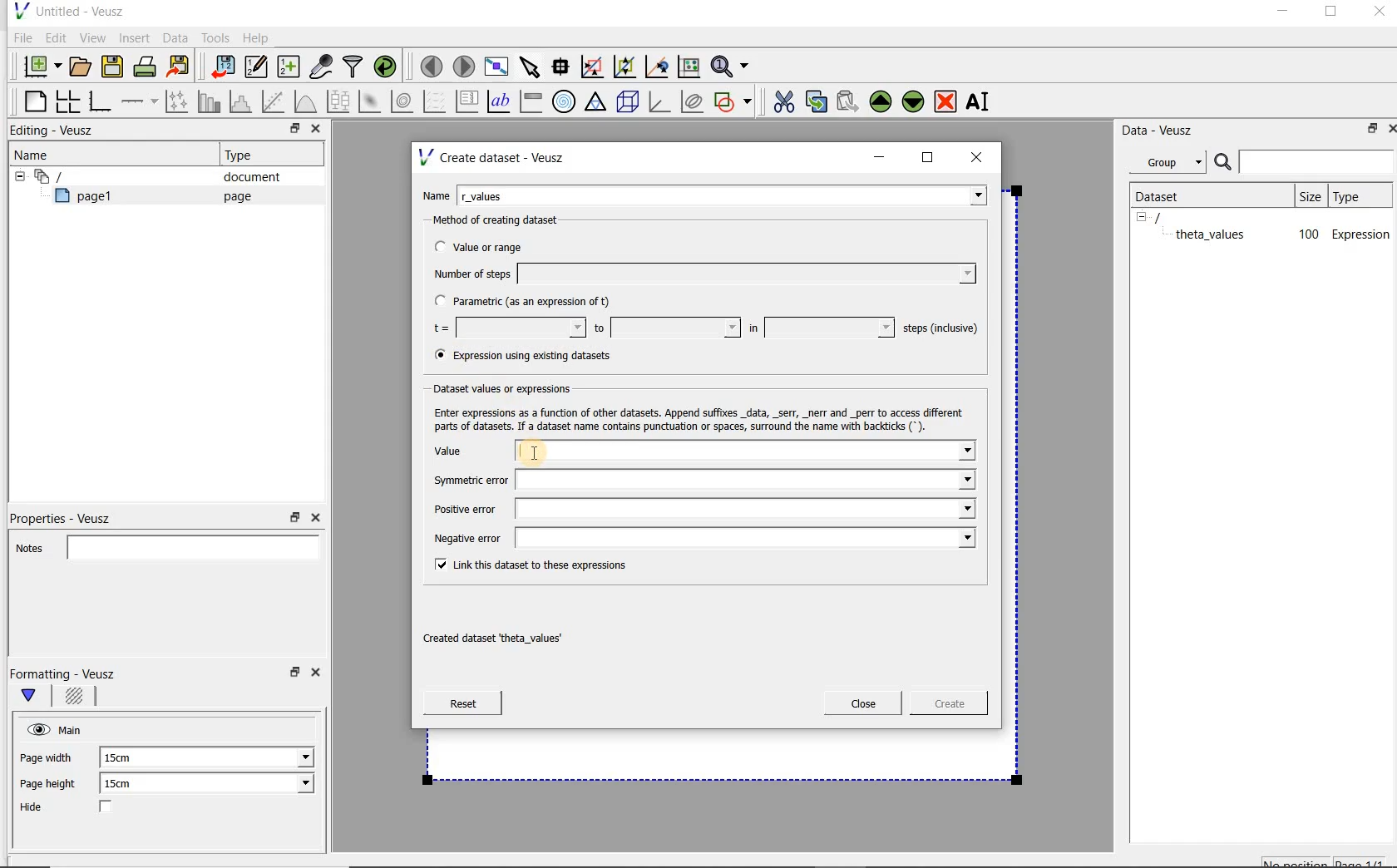 The image size is (1397, 868). What do you see at coordinates (819, 328) in the screenshot?
I see `in ` at bounding box center [819, 328].